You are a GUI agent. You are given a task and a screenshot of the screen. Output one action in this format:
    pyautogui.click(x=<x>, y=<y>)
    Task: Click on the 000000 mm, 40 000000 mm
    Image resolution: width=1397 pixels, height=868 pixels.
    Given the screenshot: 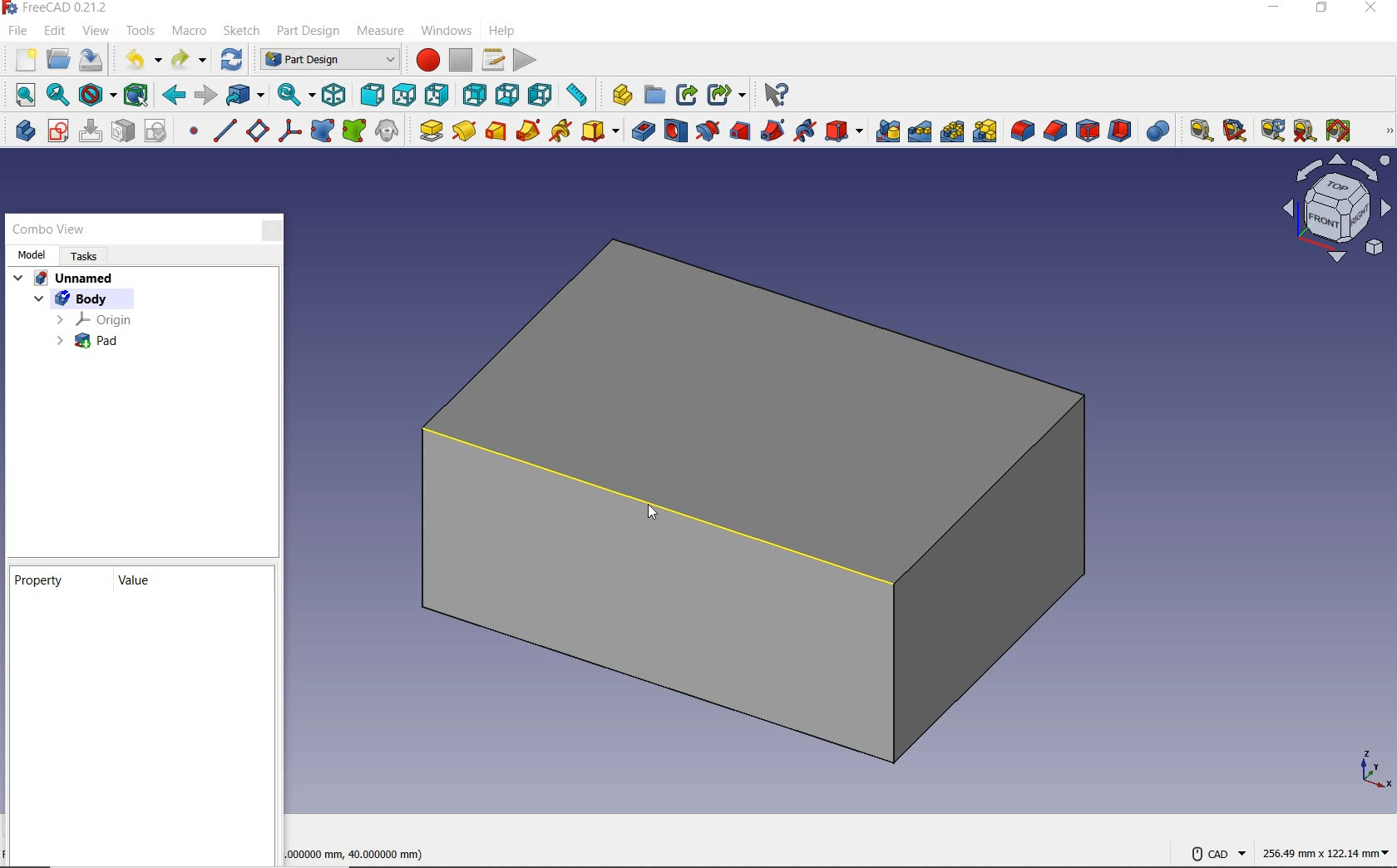 What is the action you would take?
    pyautogui.click(x=356, y=856)
    